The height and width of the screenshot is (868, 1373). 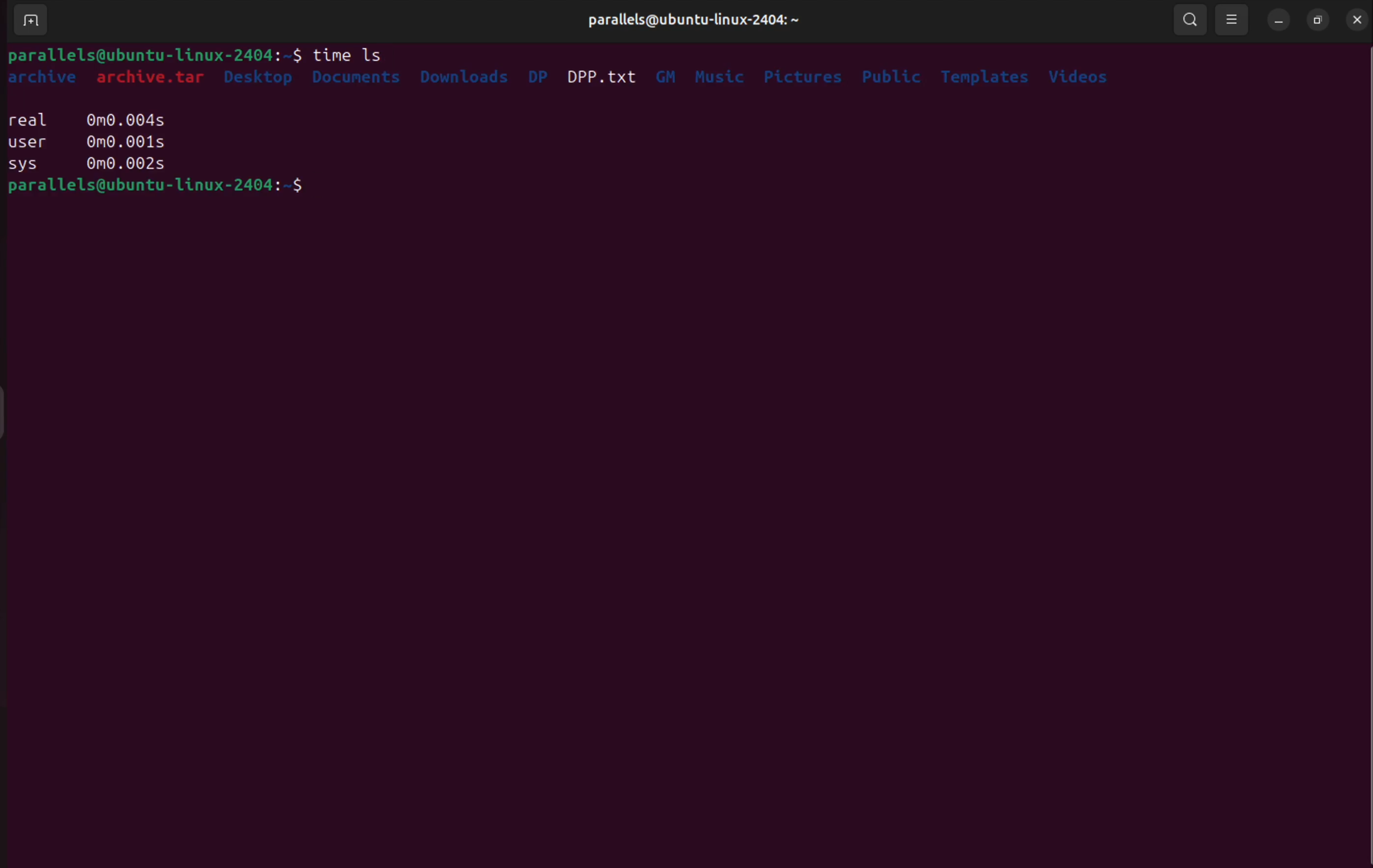 I want to click on search, so click(x=1191, y=20).